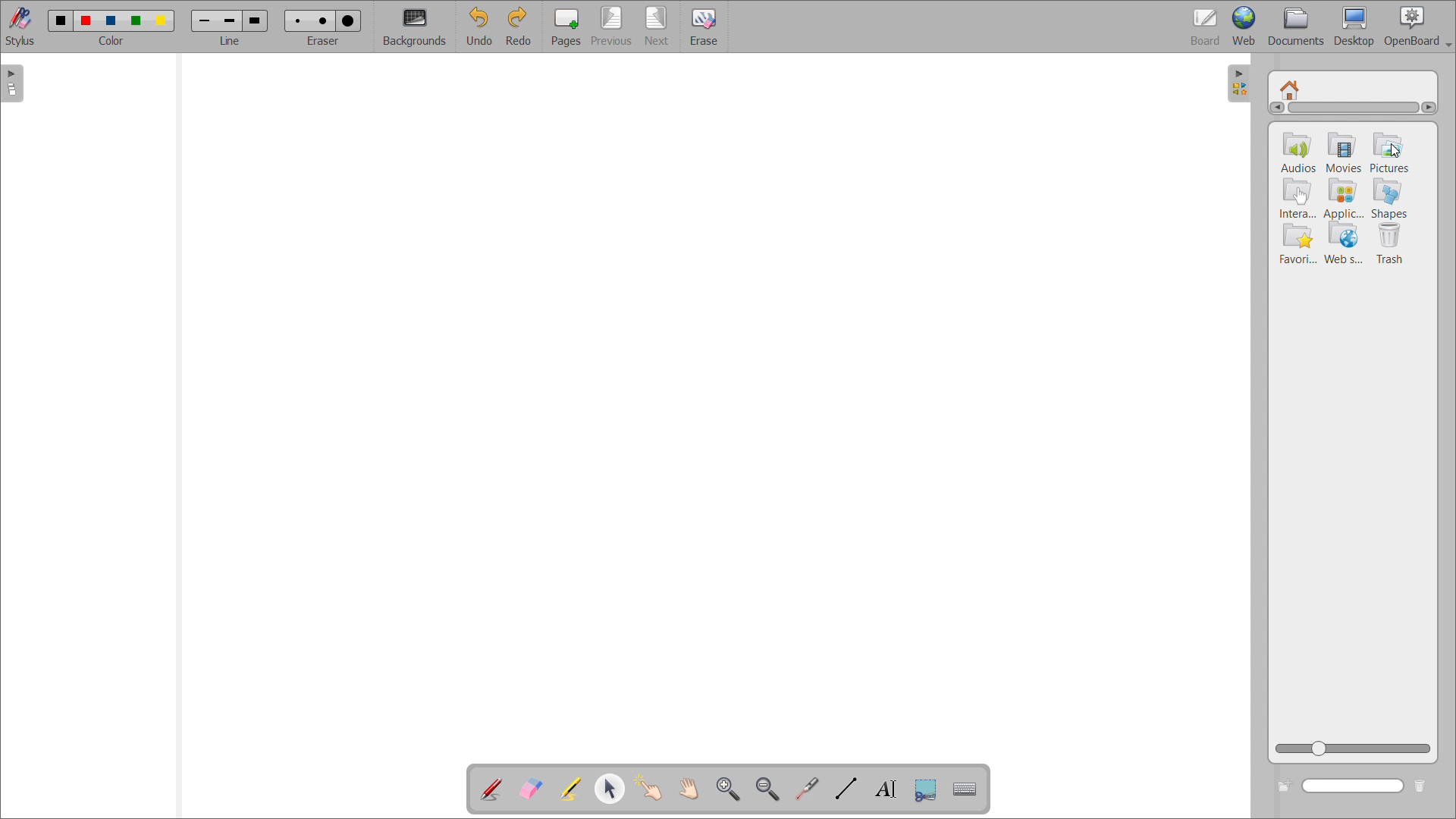 The width and height of the screenshot is (1456, 819). What do you see at coordinates (1345, 153) in the screenshot?
I see `movies` at bounding box center [1345, 153].